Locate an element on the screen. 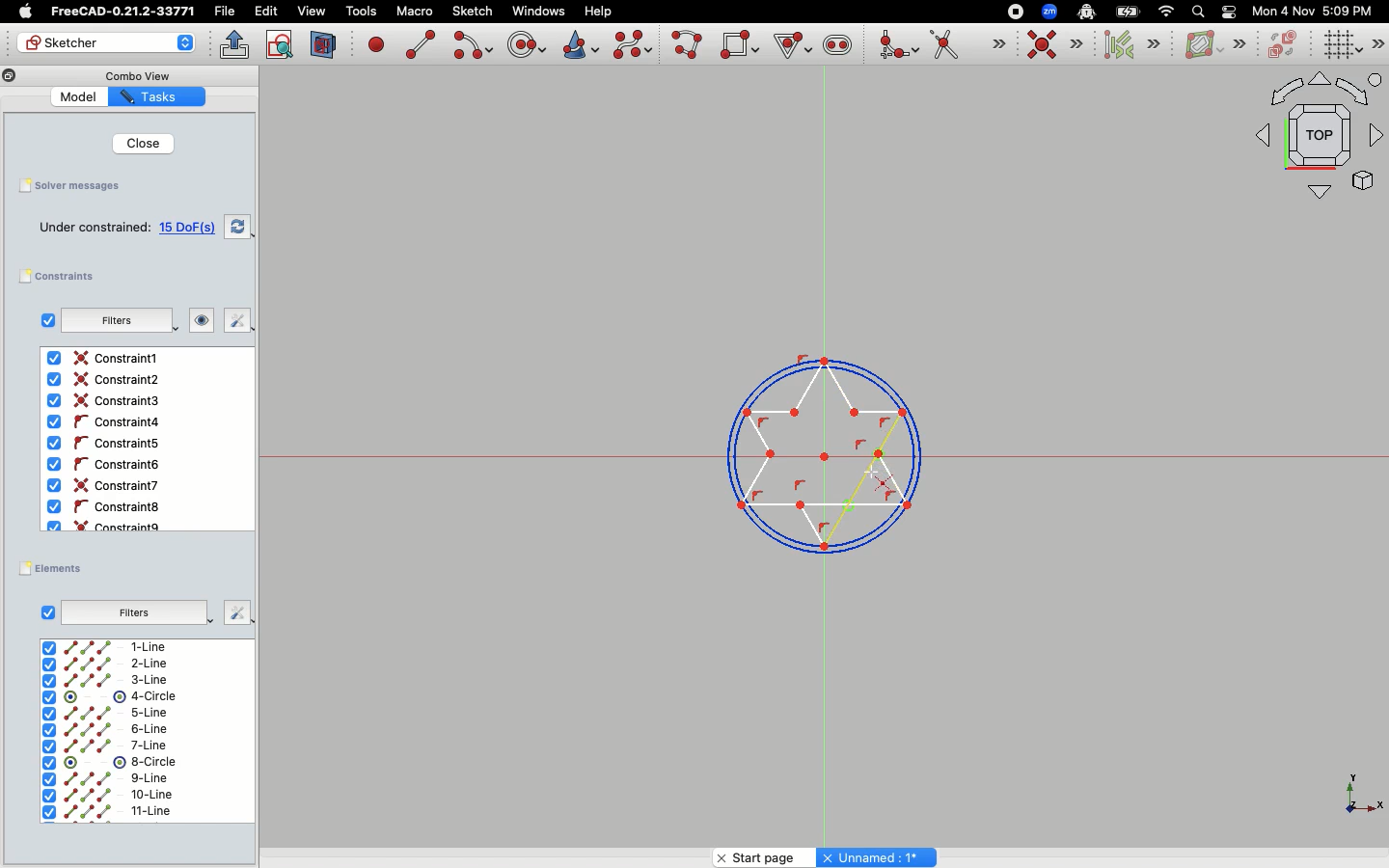 This screenshot has height=868, width=1389. Leave sketch is located at coordinates (235, 44).